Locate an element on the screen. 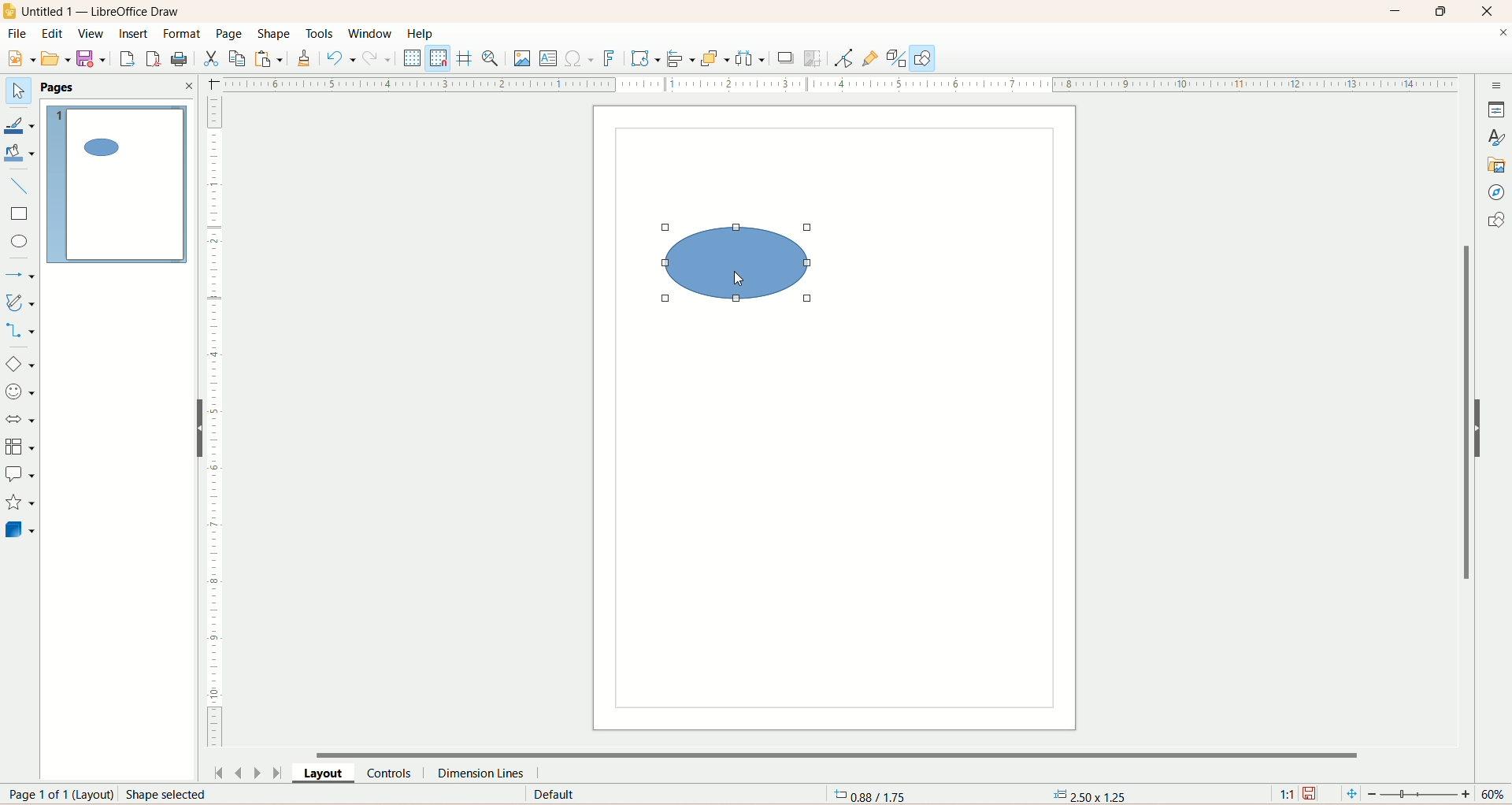 Image resolution: width=1512 pixels, height=805 pixels. 3D shapes is located at coordinates (21, 529).